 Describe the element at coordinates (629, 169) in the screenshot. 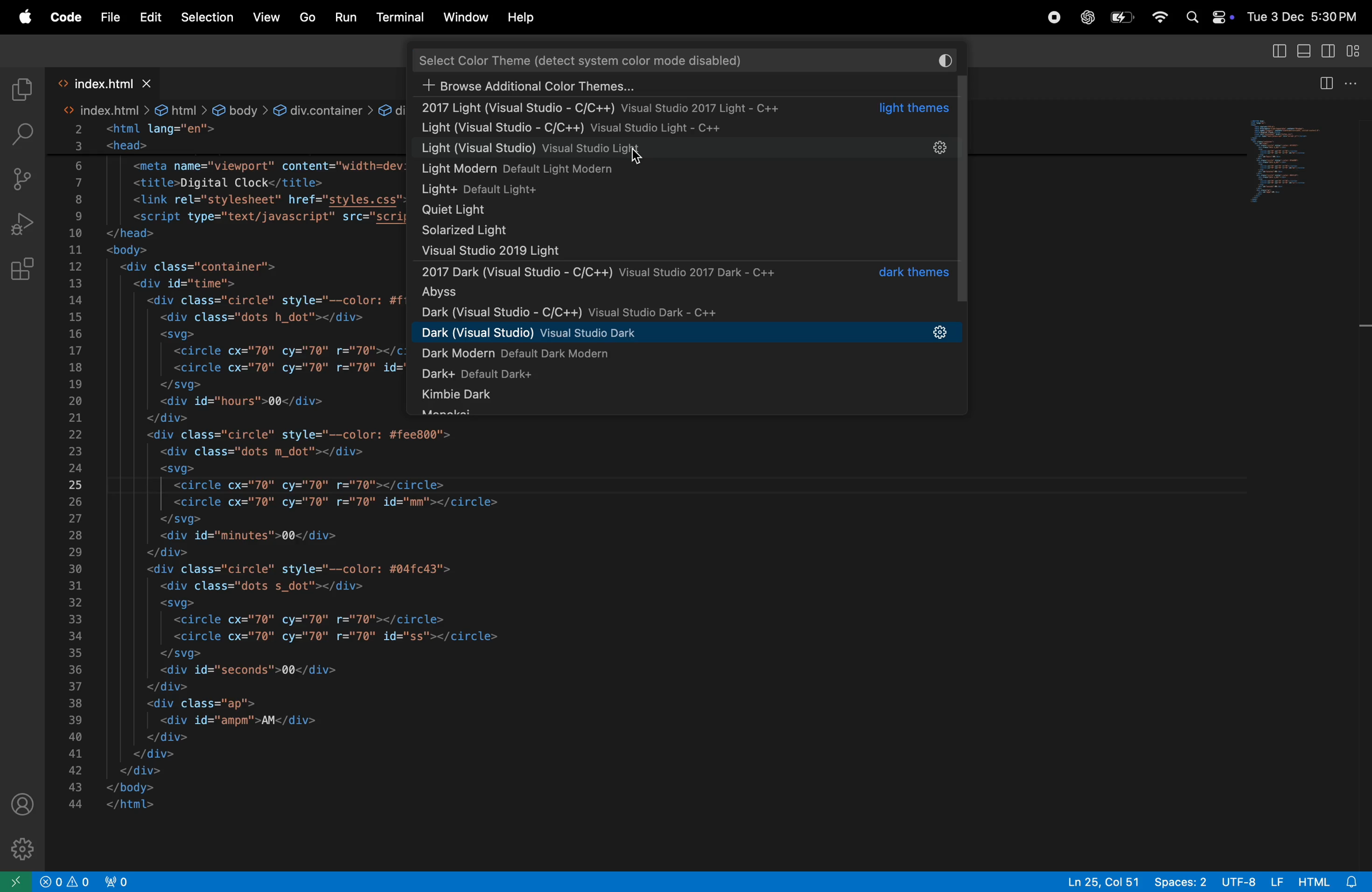

I see `light modern` at that location.